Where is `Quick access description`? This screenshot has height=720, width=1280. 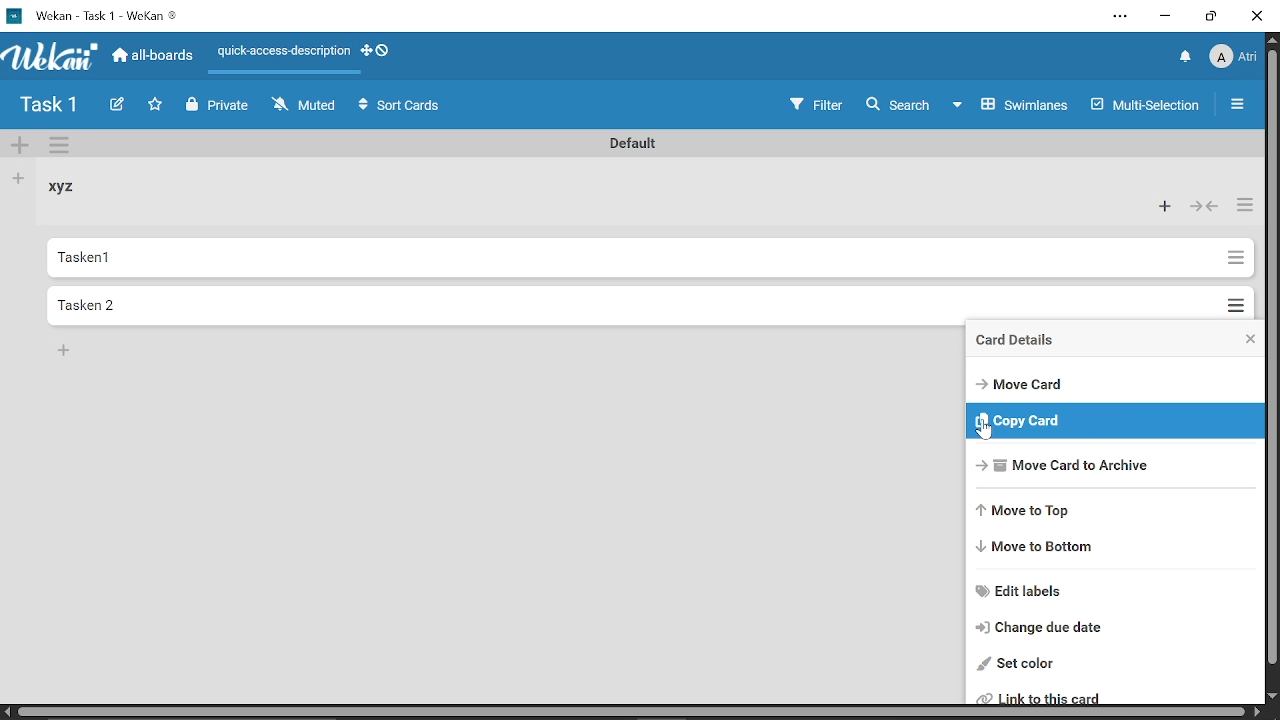 Quick access description is located at coordinates (282, 52).